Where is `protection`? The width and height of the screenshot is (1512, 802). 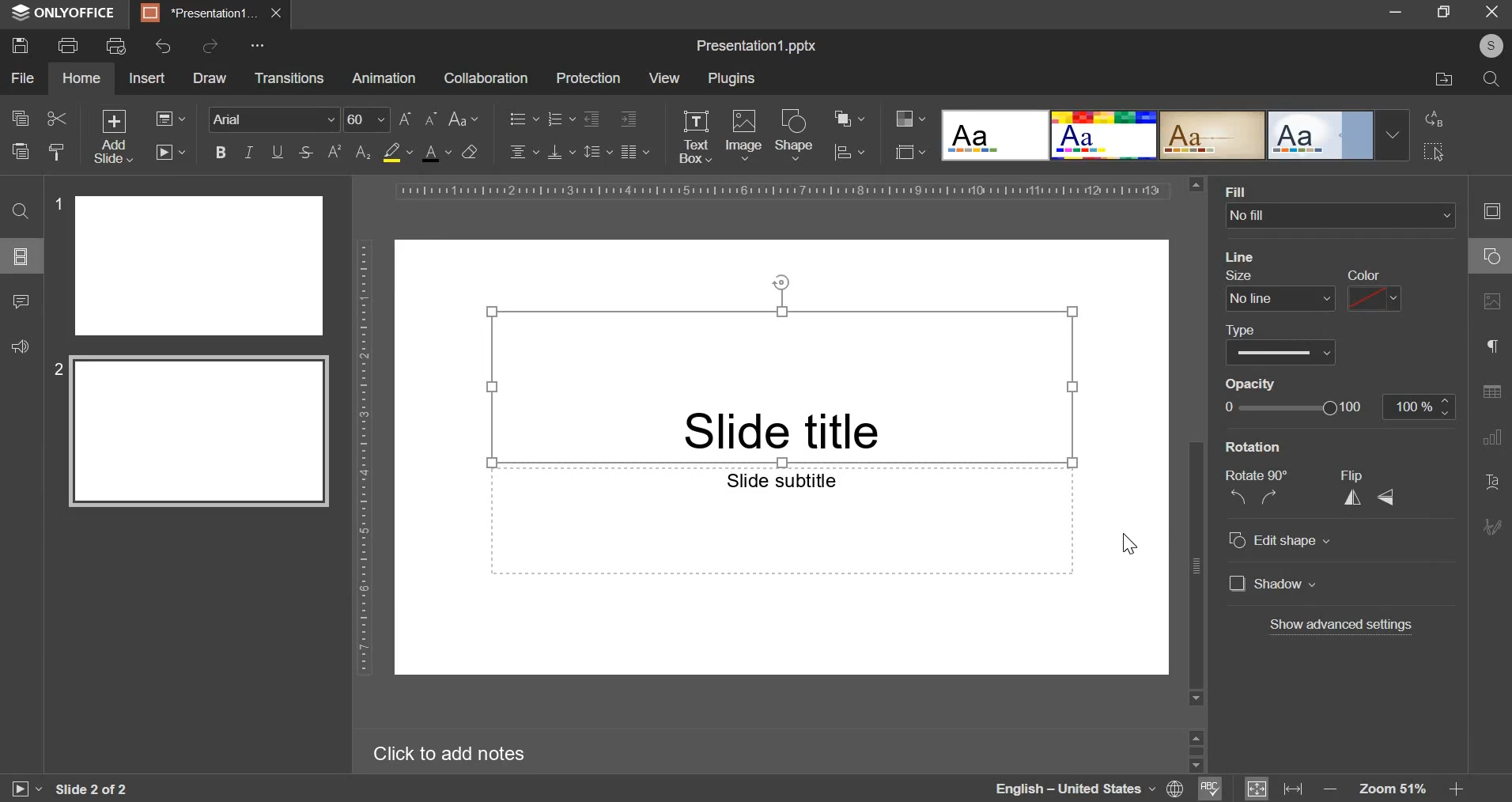
protection is located at coordinates (588, 78).